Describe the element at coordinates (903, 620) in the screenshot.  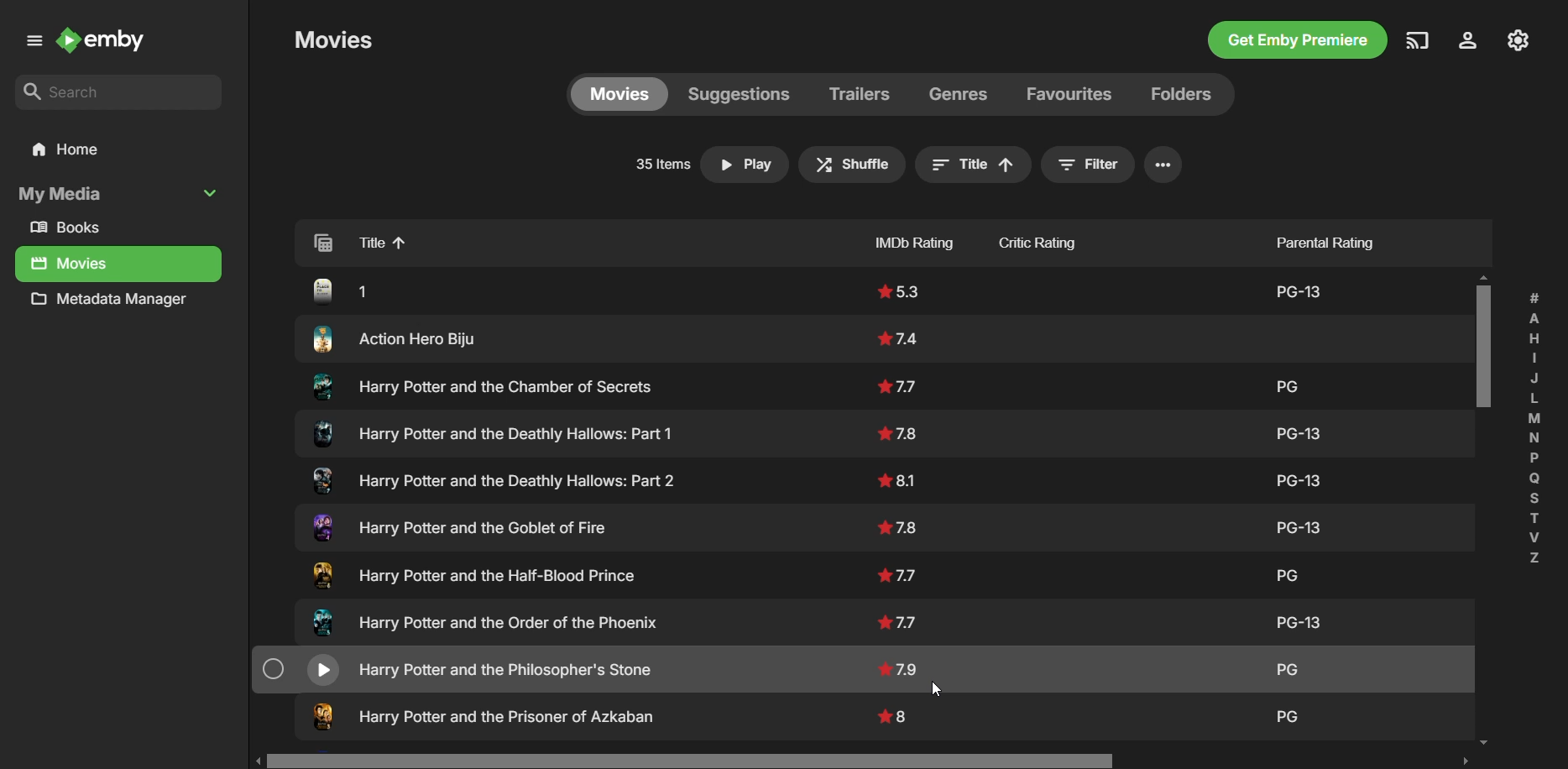
I see `` at that location.